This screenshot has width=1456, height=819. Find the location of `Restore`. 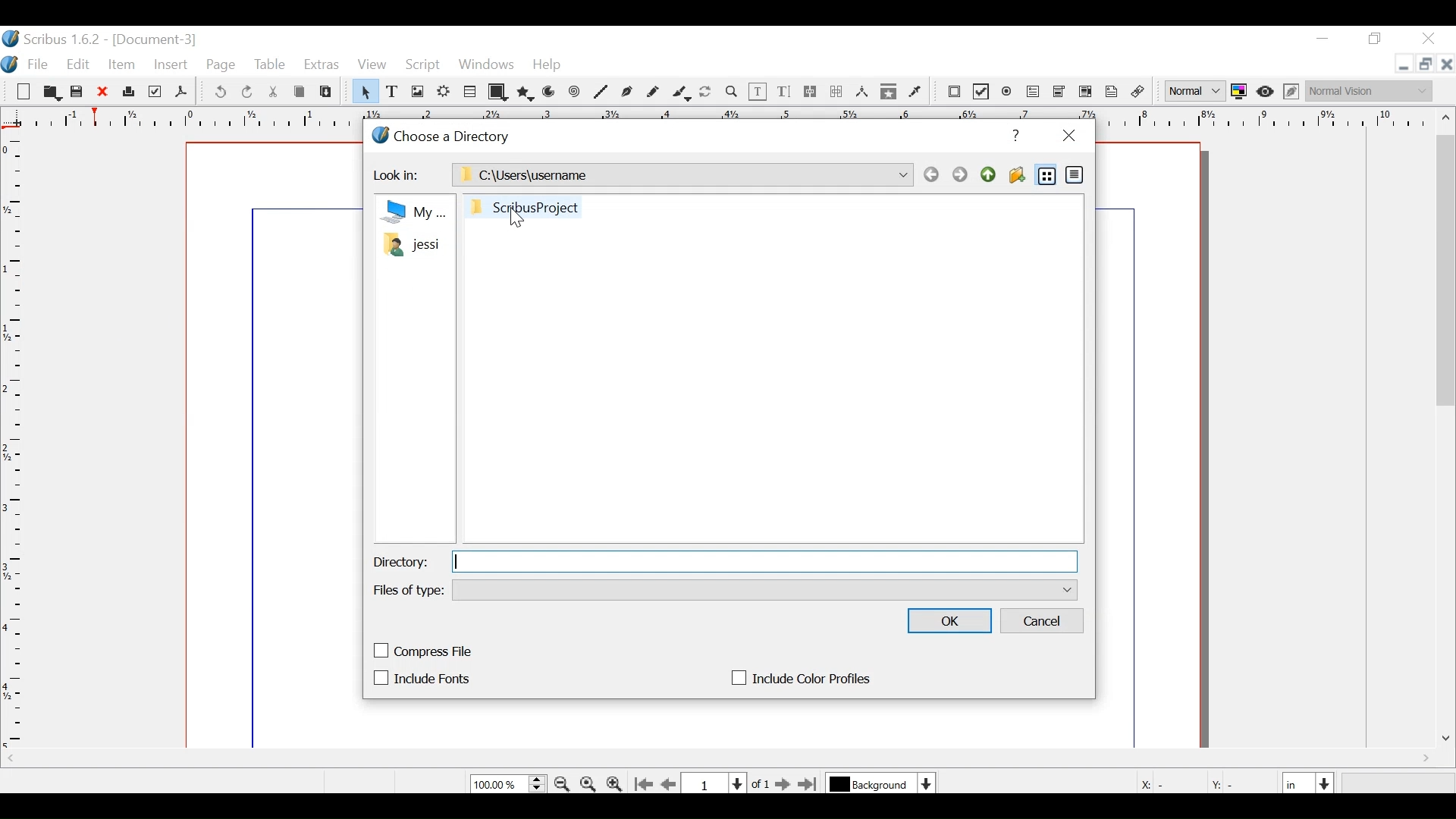

Restore is located at coordinates (1375, 39).